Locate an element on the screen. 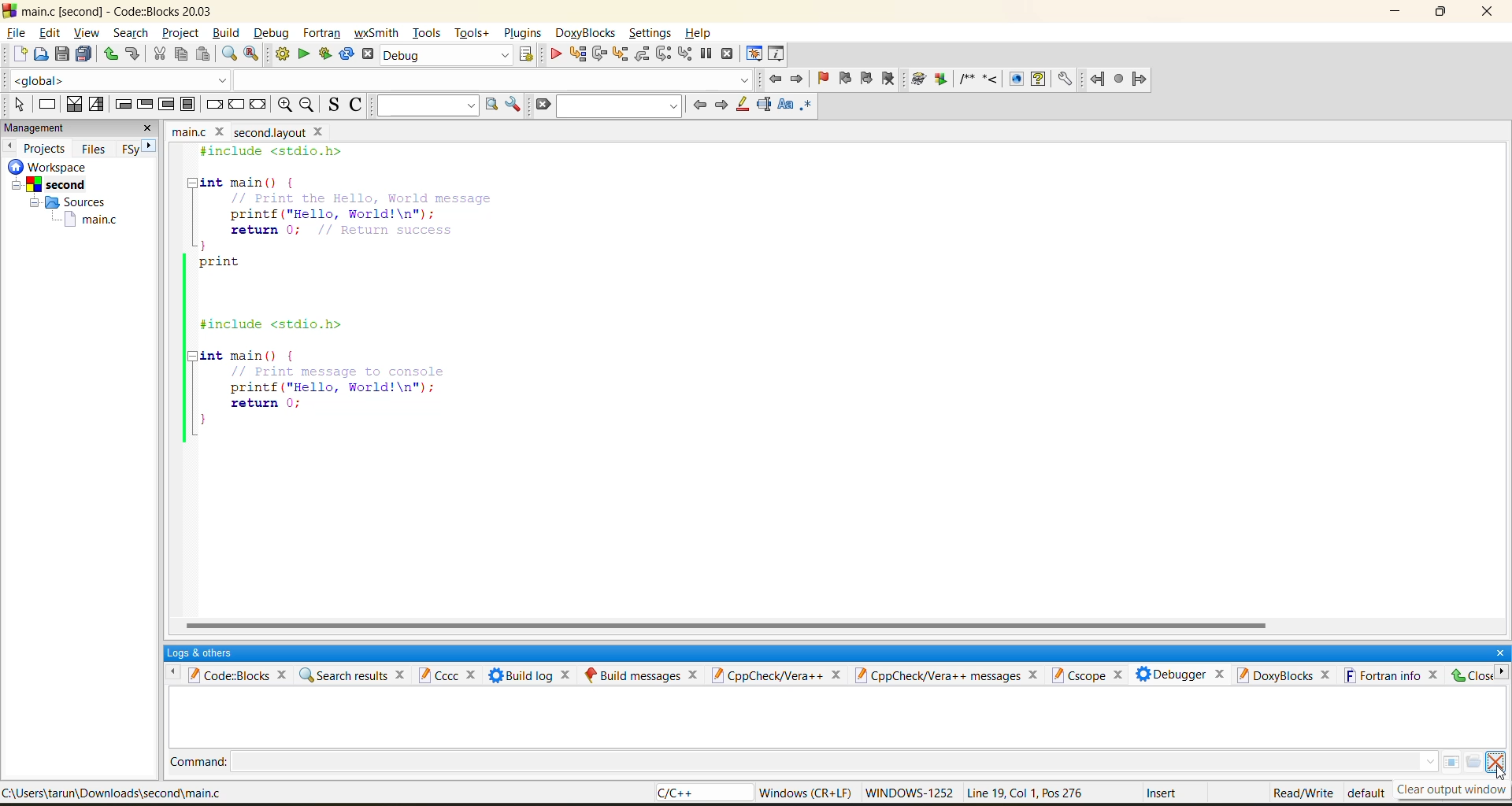 The width and height of the screenshot is (1512, 806). cut is located at coordinates (161, 55).